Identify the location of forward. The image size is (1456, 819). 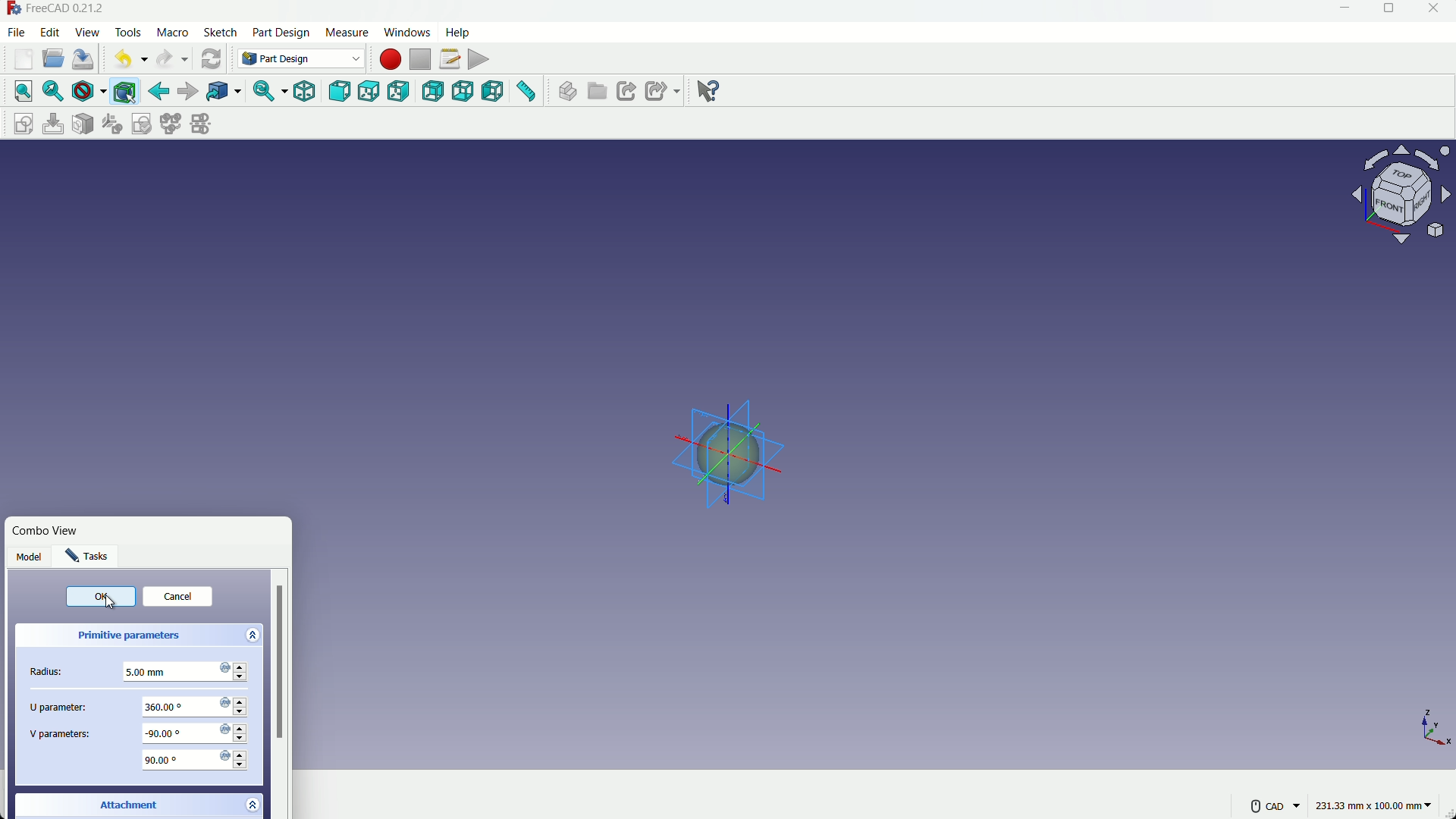
(189, 90).